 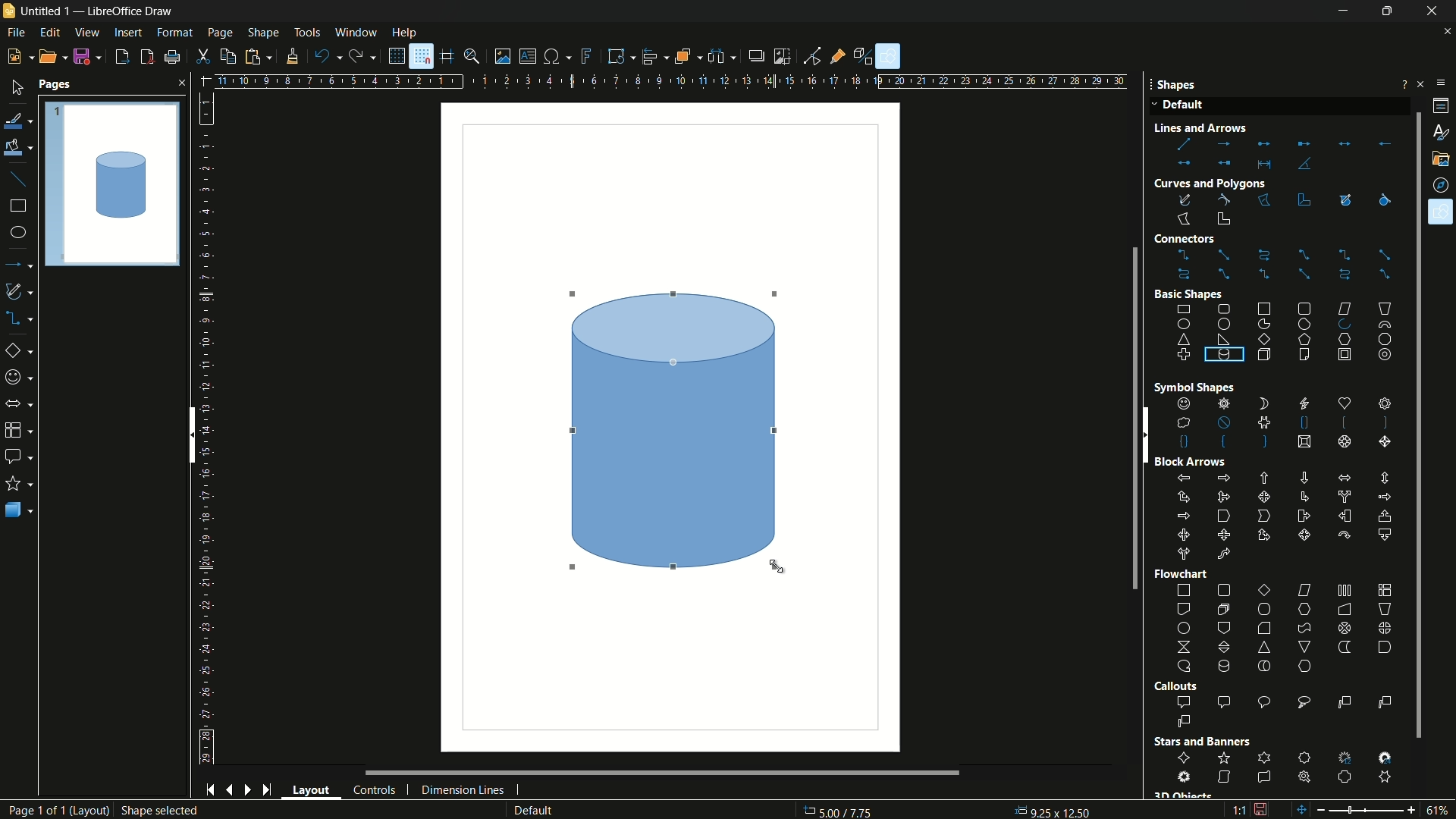 What do you see at coordinates (190, 435) in the screenshot?
I see `scroll bar` at bounding box center [190, 435].